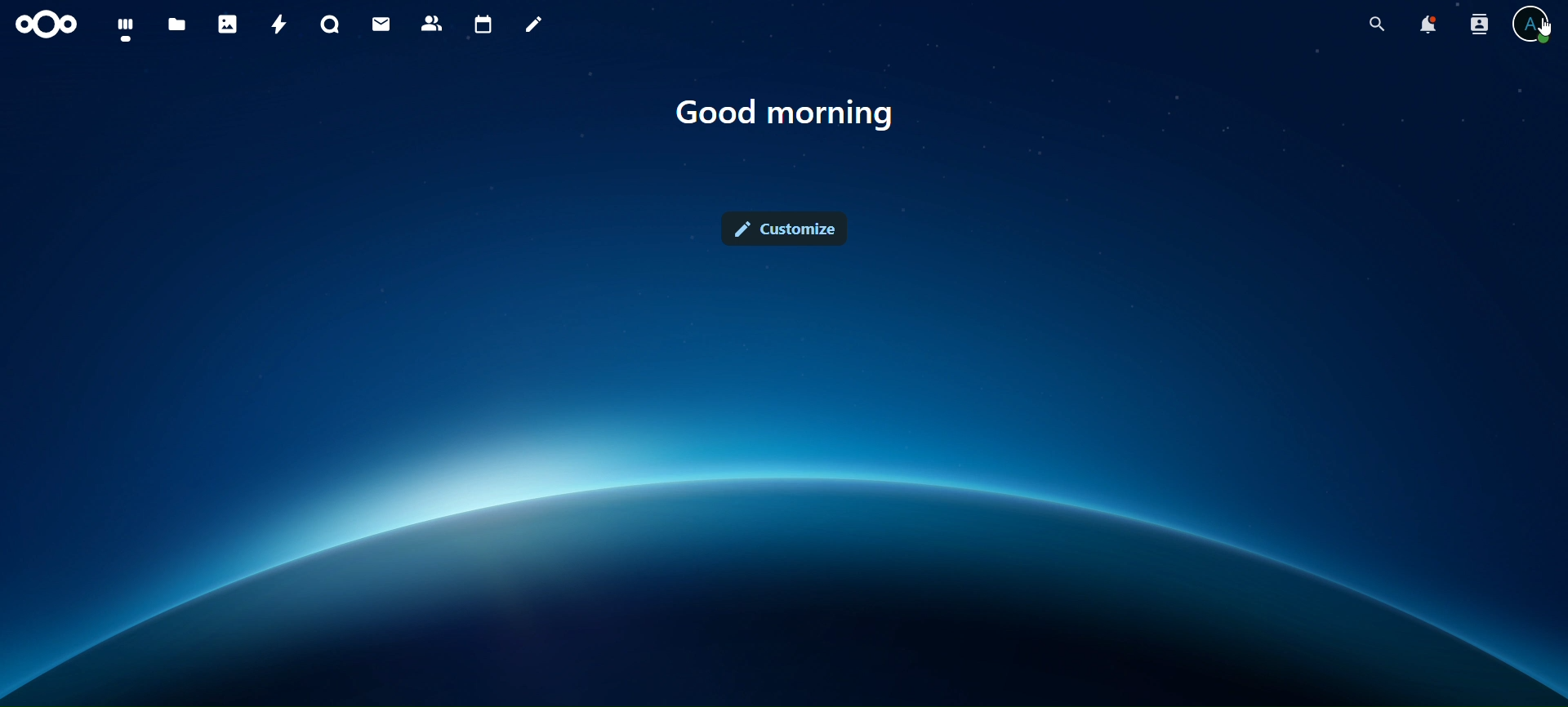  What do you see at coordinates (227, 24) in the screenshot?
I see `photos` at bounding box center [227, 24].